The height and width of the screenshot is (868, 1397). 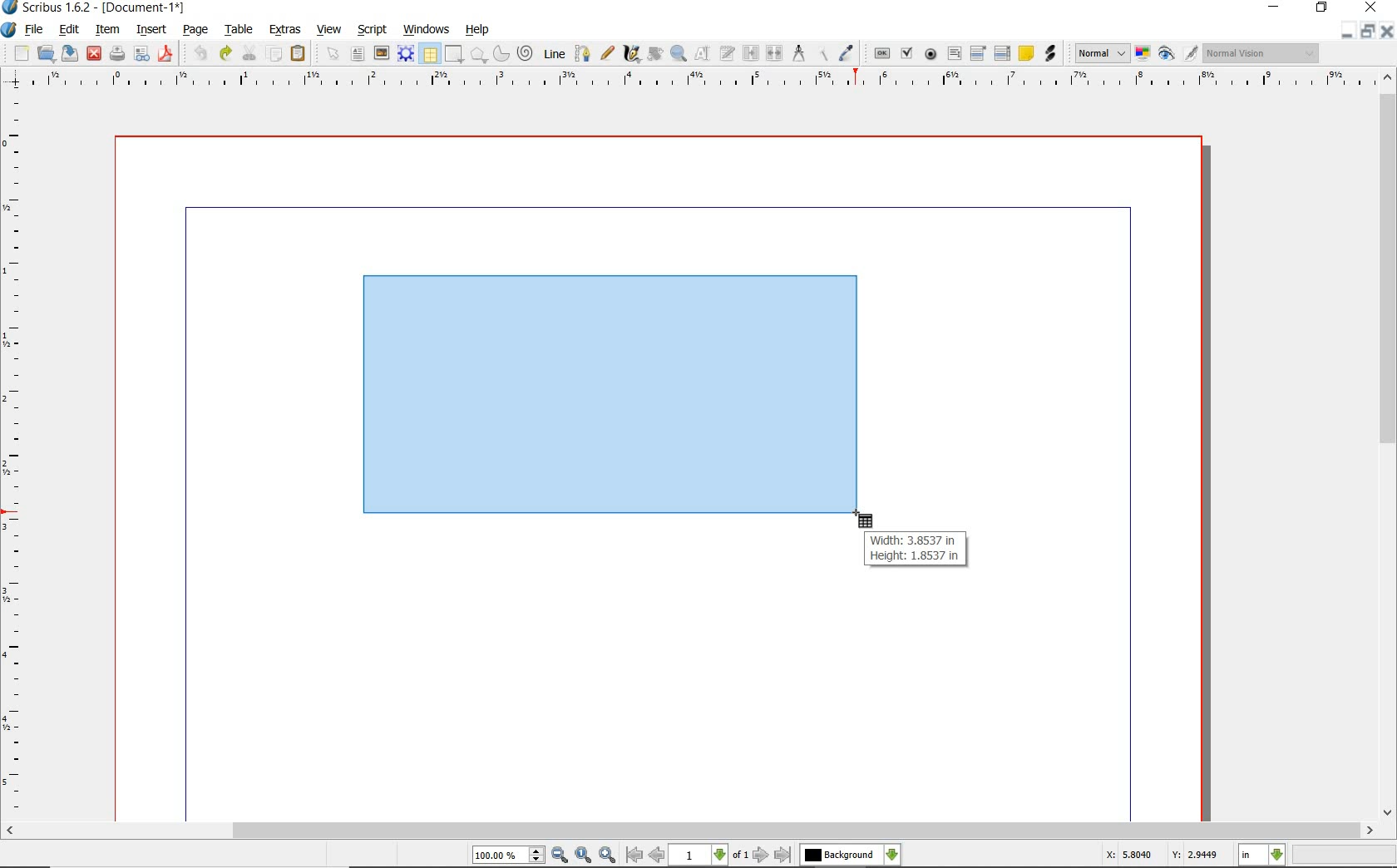 What do you see at coordinates (358, 56) in the screenshot?
I see `text frame` at bounding box center [358, 56].